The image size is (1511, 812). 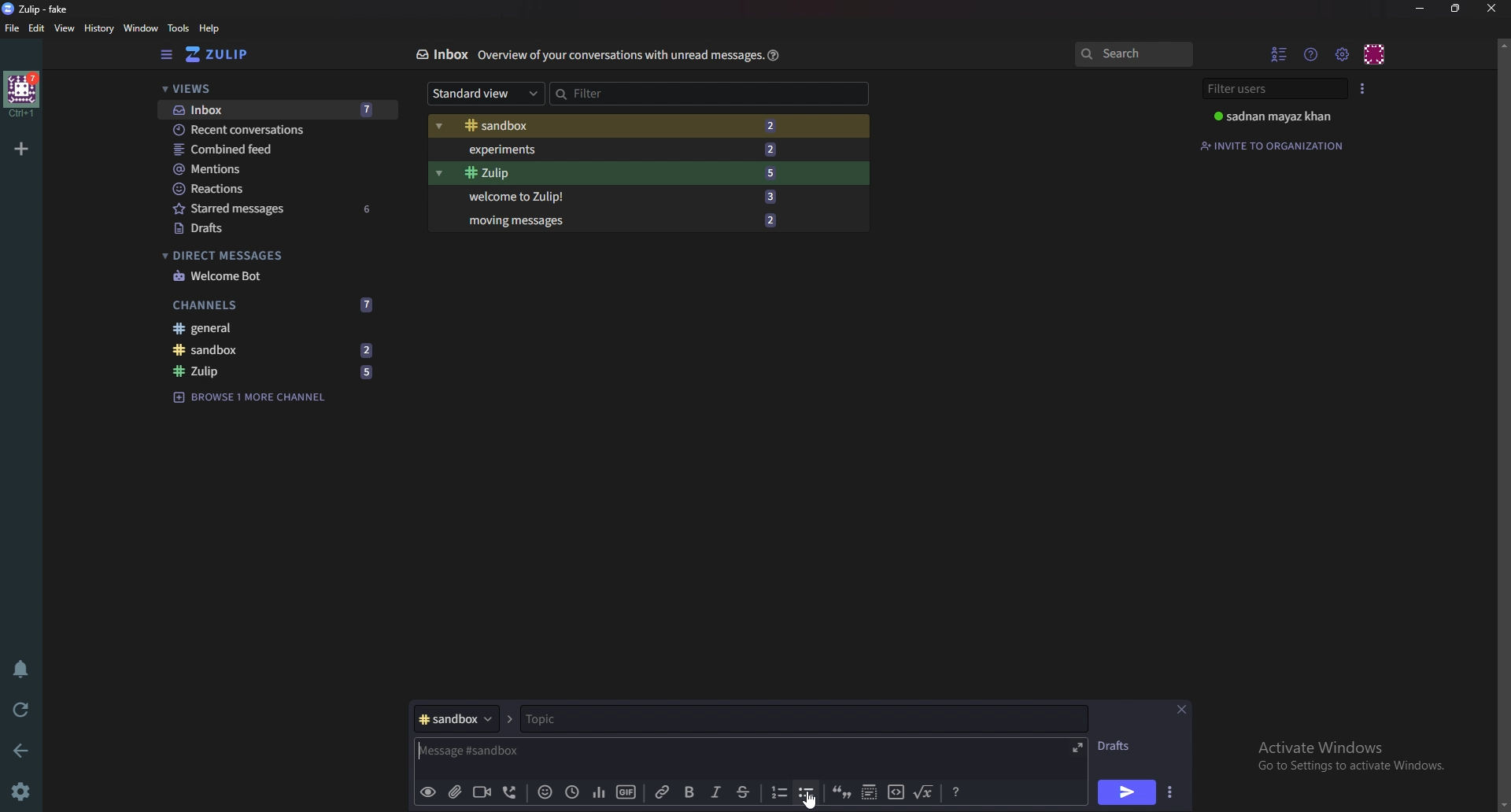 I want to click on Sandbox, so click(x=614, y=127).